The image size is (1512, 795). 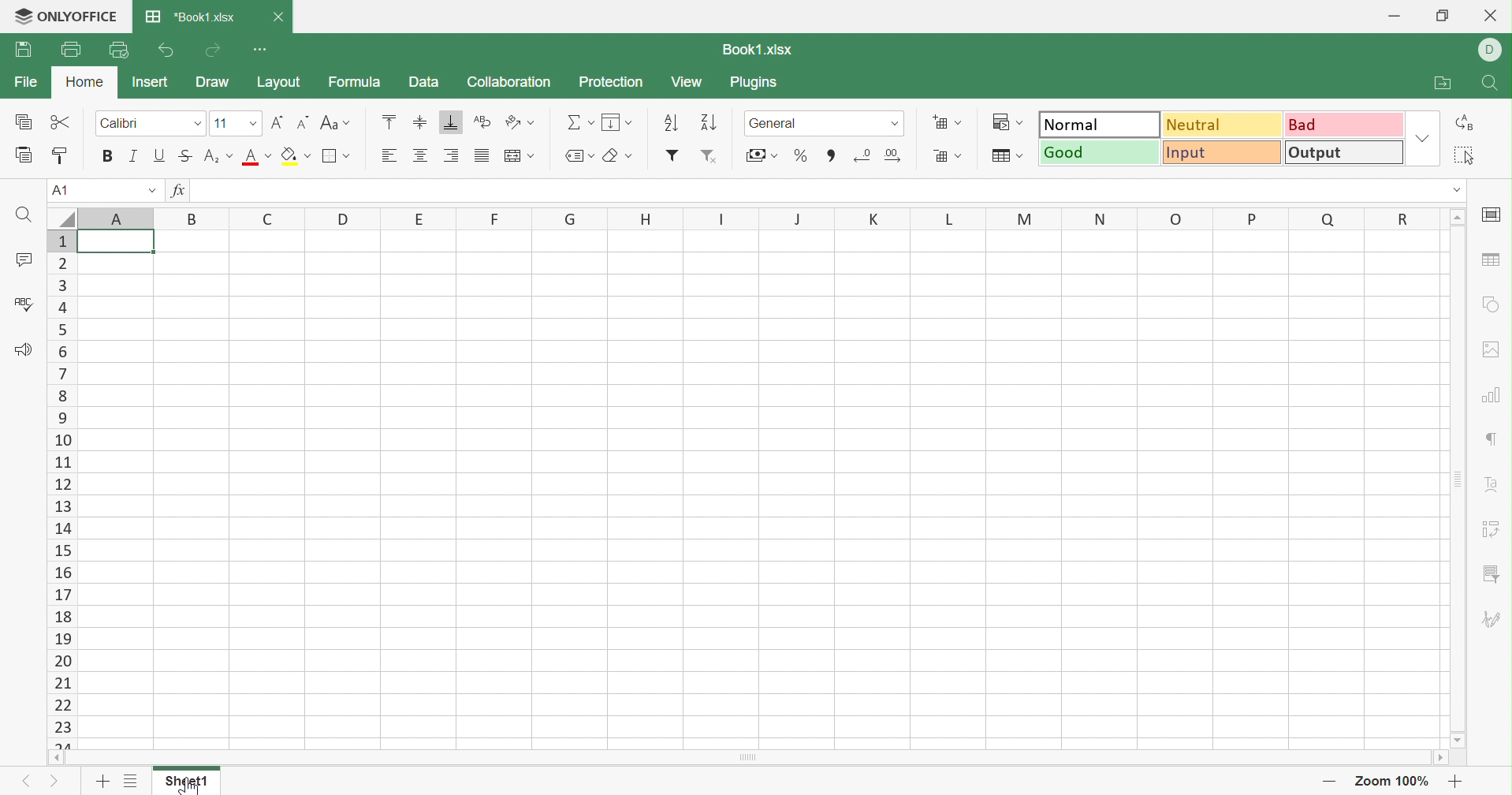 What do you see at coordinates (481, 121) in the screenshot?
I see `Wrap Text` at bounding box center [481, 121].